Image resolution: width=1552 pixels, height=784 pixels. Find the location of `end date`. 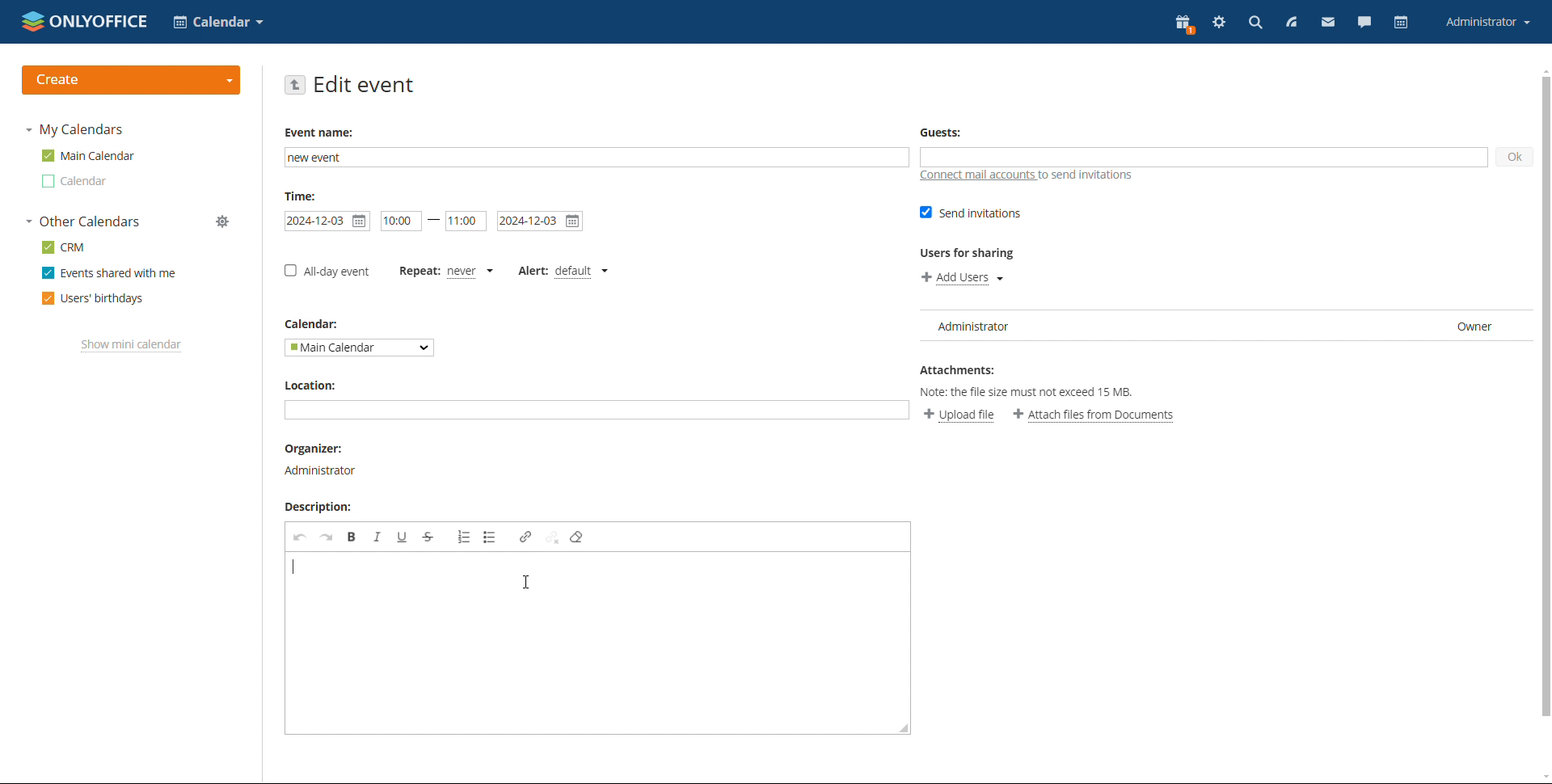

end date is located at coordinates (540, 221).